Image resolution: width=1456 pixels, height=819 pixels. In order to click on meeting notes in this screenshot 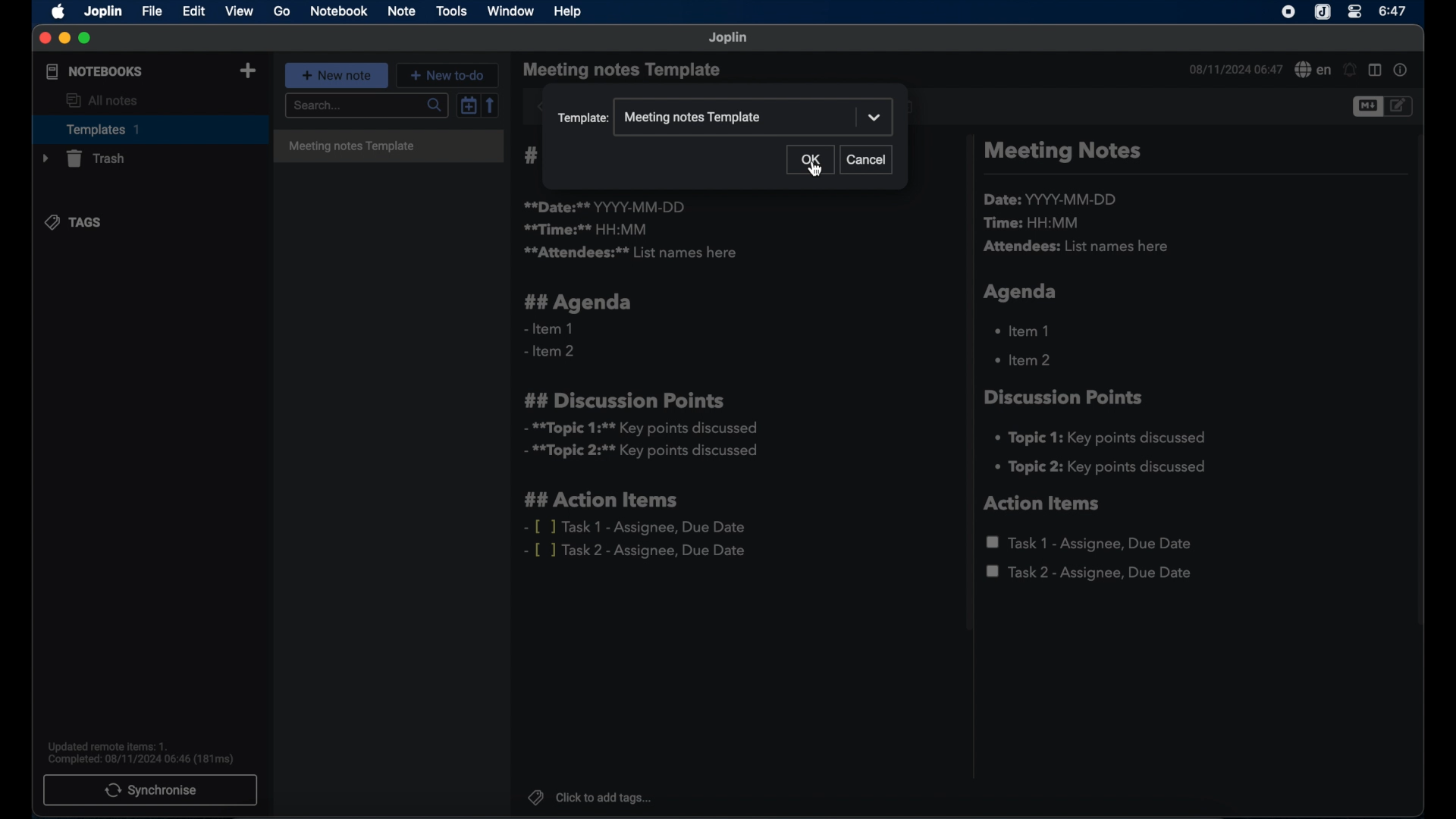, I will do `click(1062, 152)`.